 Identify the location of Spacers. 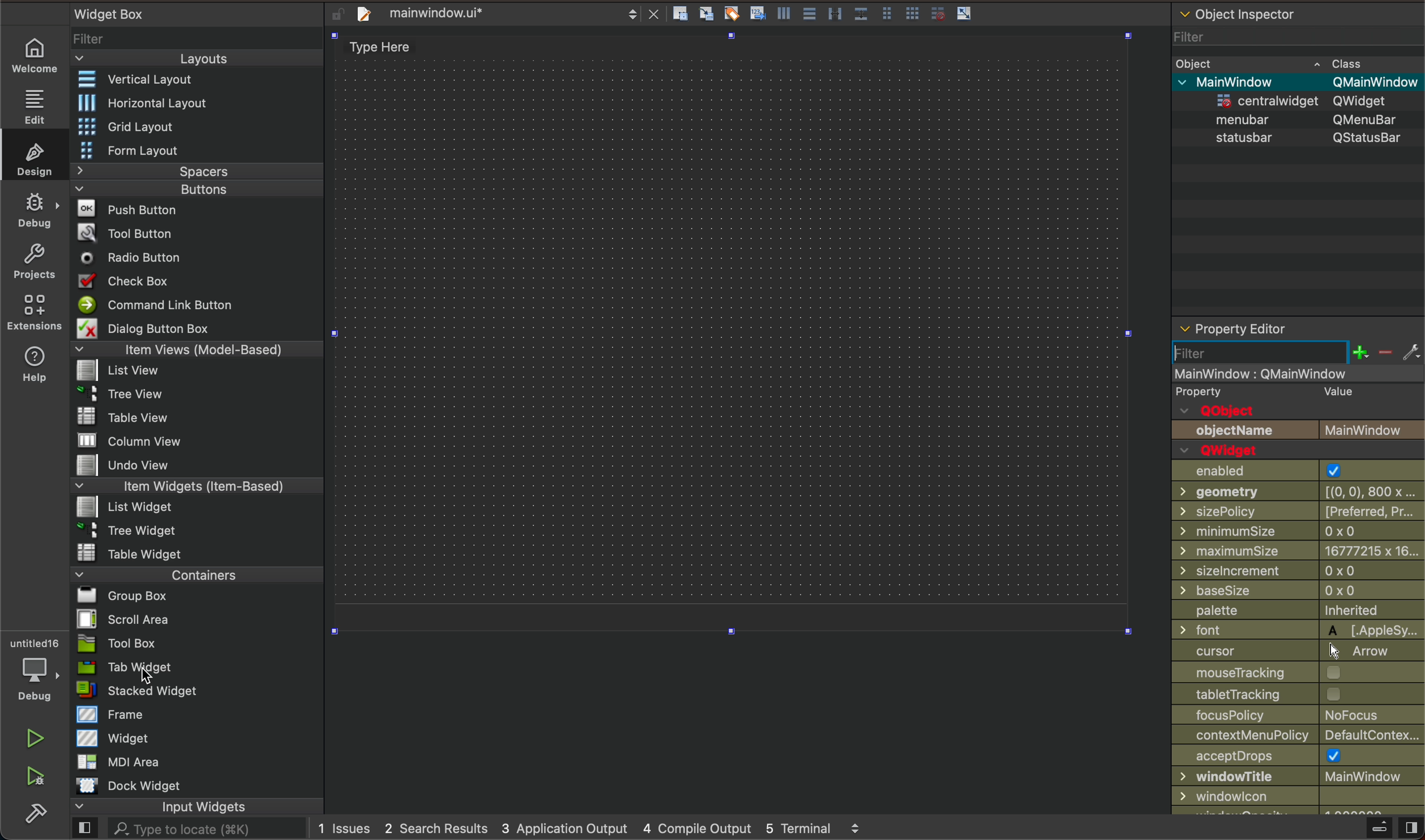
(198, 172).